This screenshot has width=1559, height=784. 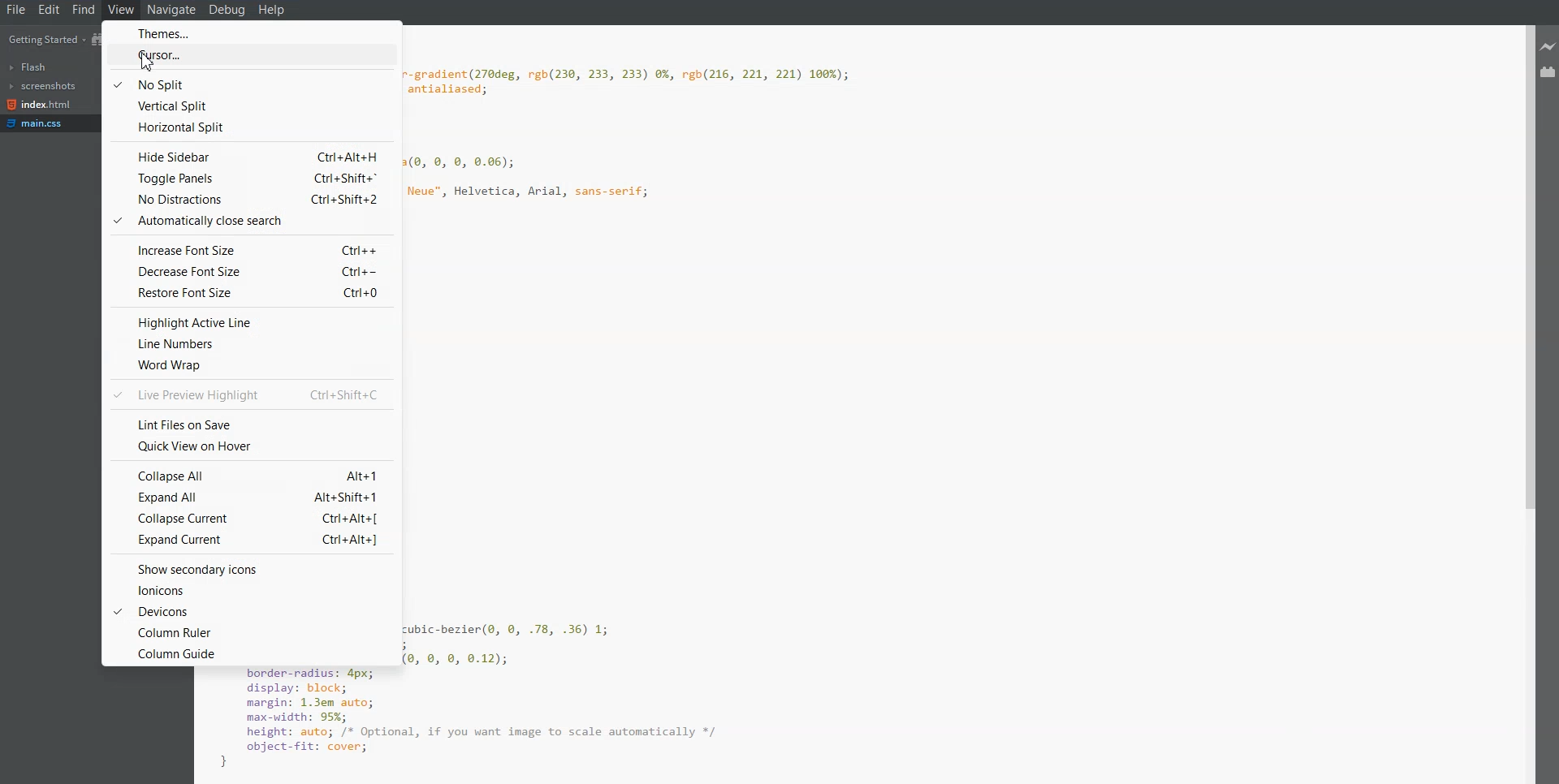 I want to click on Expand Current, so click(x=250, y=538).